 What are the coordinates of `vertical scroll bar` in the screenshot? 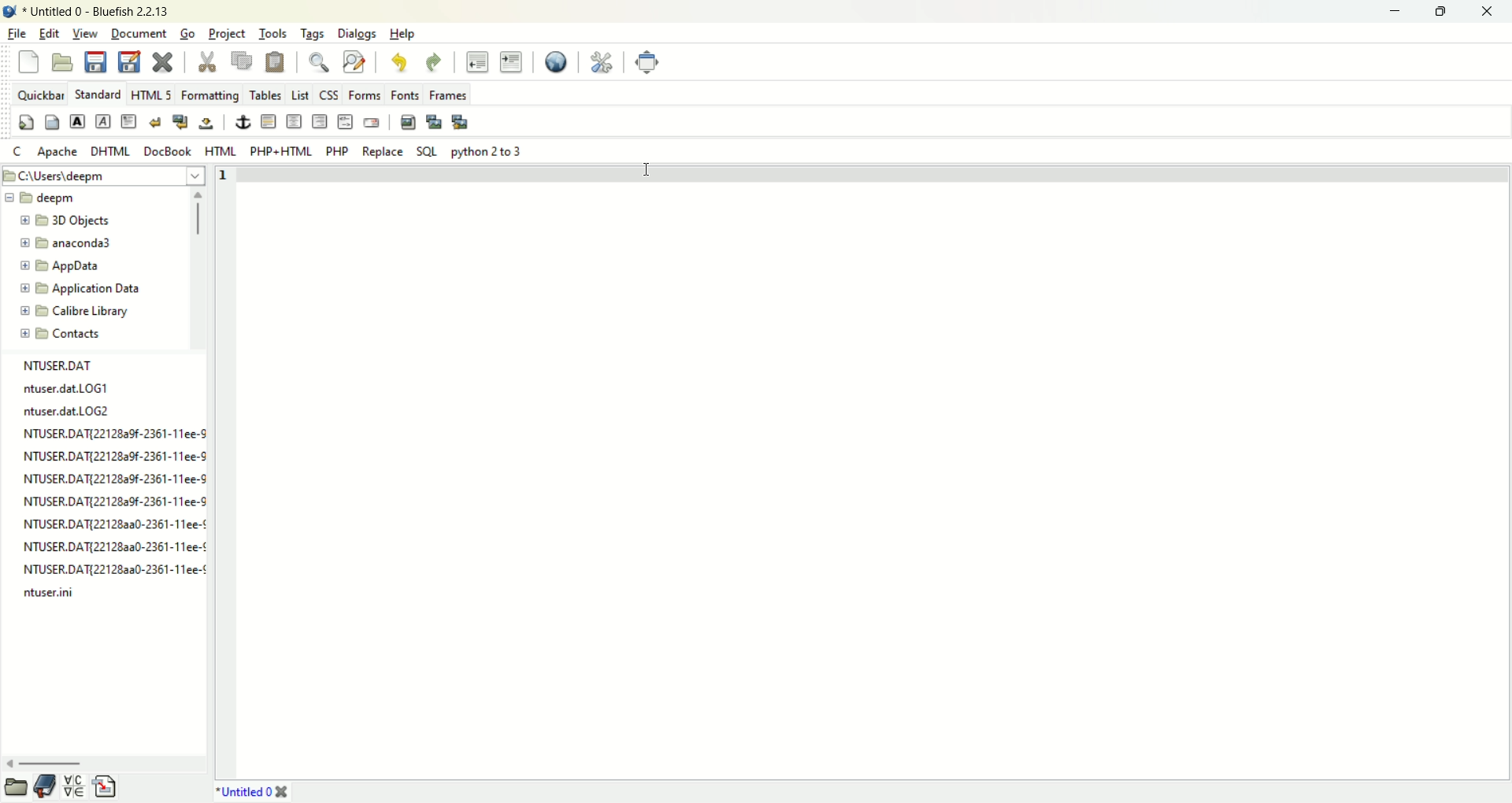 It's located at (202, 216).